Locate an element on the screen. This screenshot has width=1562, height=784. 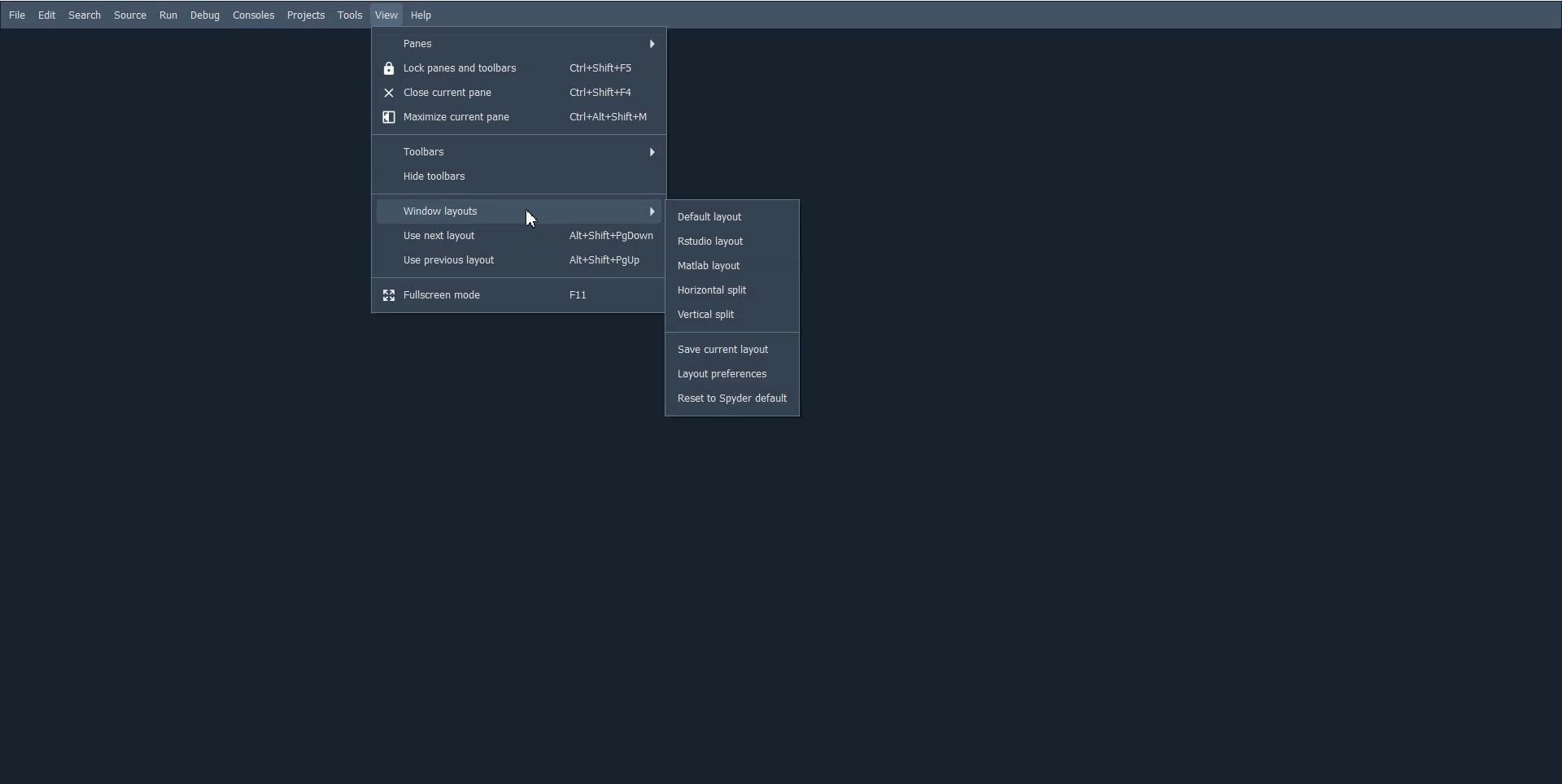
Fullscreen mode is located at coordinates (517, 295).